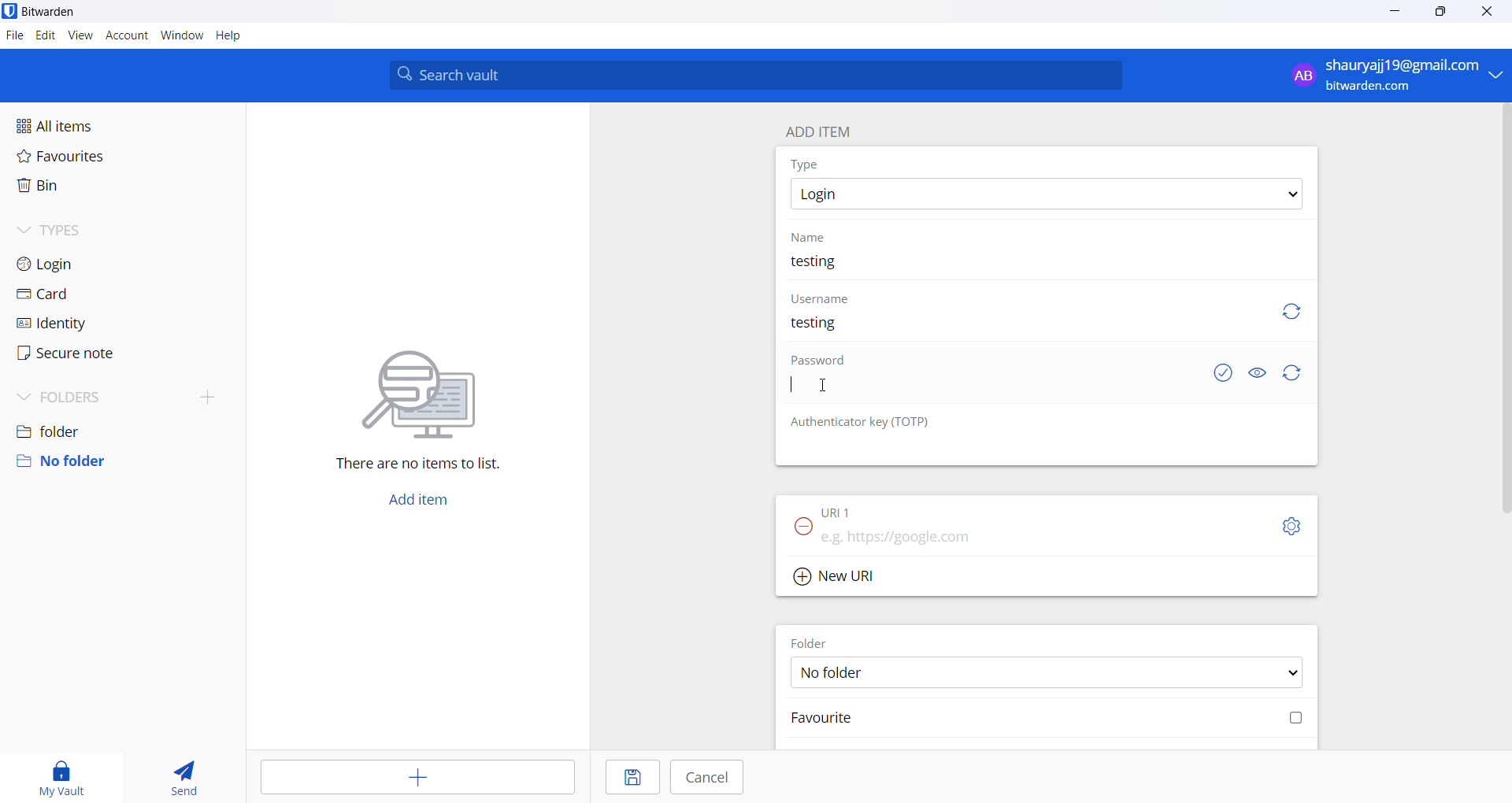  I want to click on show or hide, so click(1261, 370).